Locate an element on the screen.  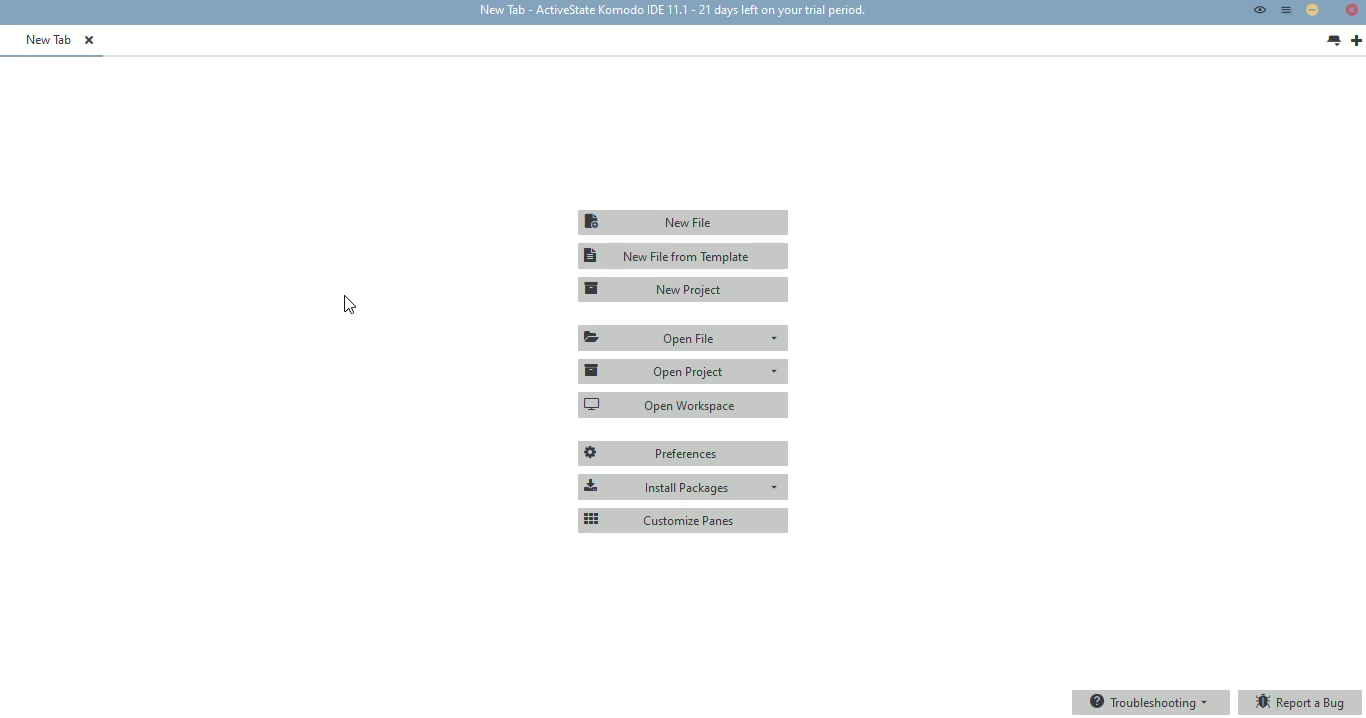
new tab is located at coordinates (50, 39).